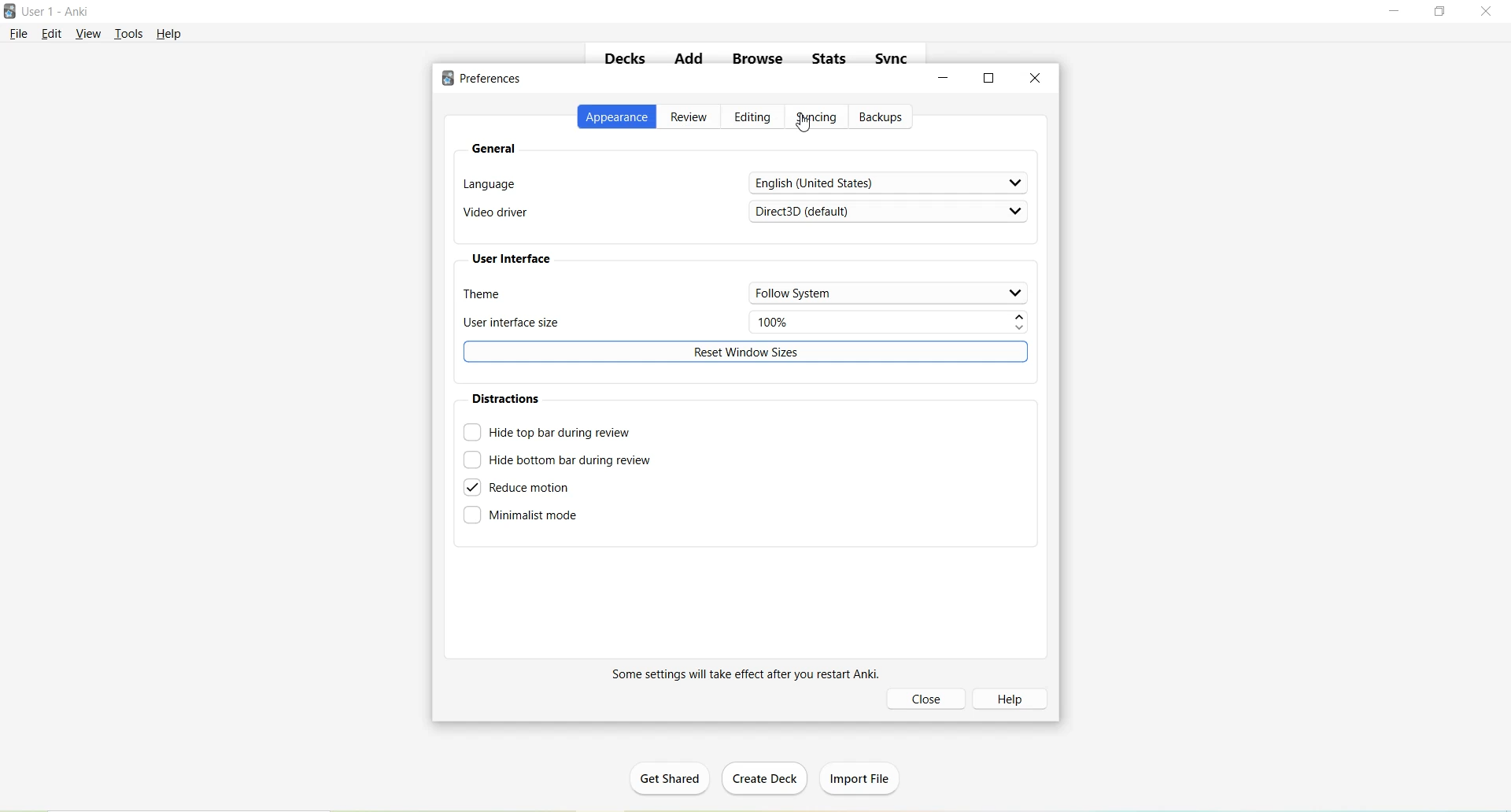 The width and height of the screenshot is (1511, 812). Describe the element at coordinates (746, 293) in the screenshot. I see `Theme` at that location.